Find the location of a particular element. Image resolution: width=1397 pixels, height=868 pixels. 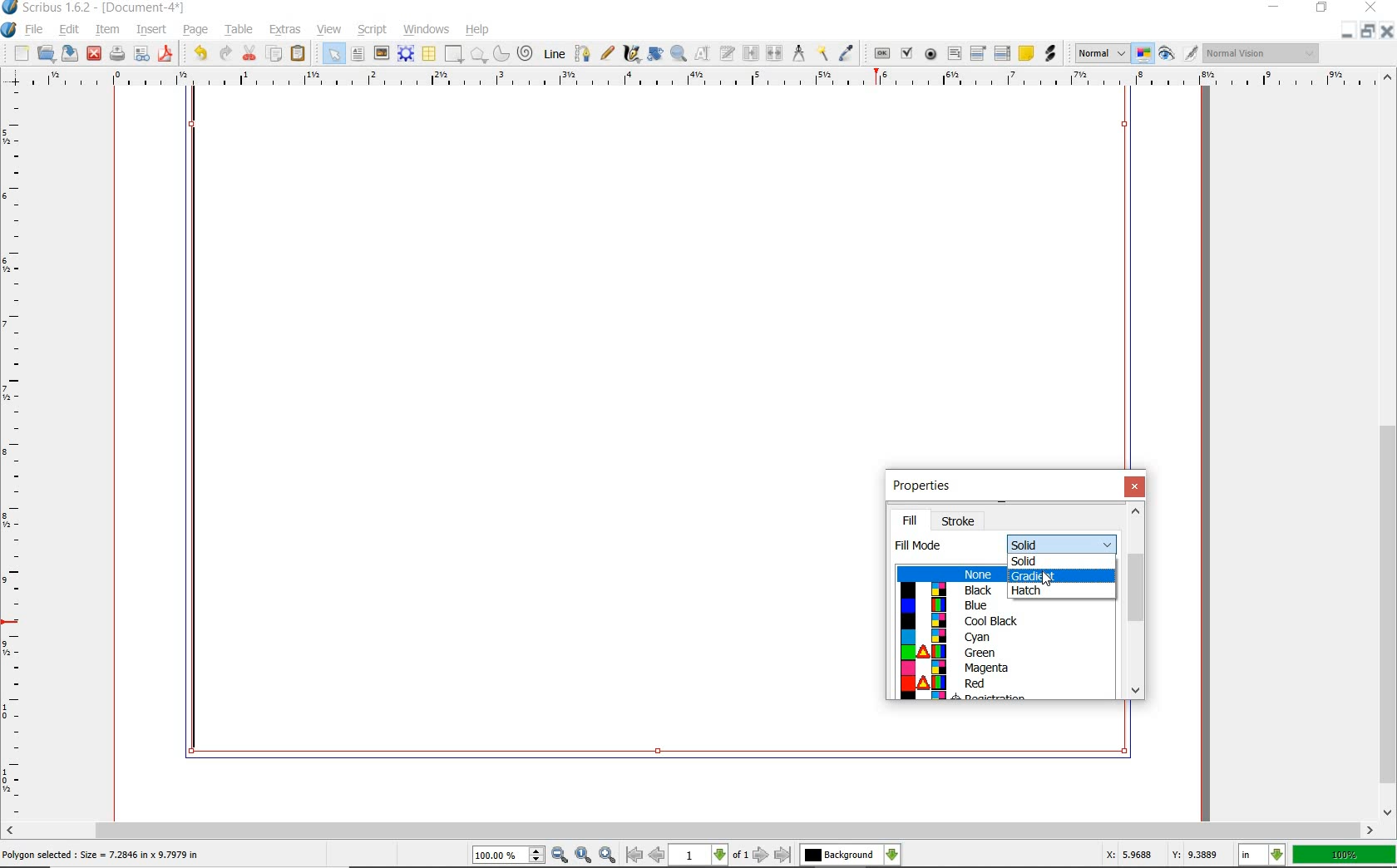

go to last page is located at coordinates (782, 855).